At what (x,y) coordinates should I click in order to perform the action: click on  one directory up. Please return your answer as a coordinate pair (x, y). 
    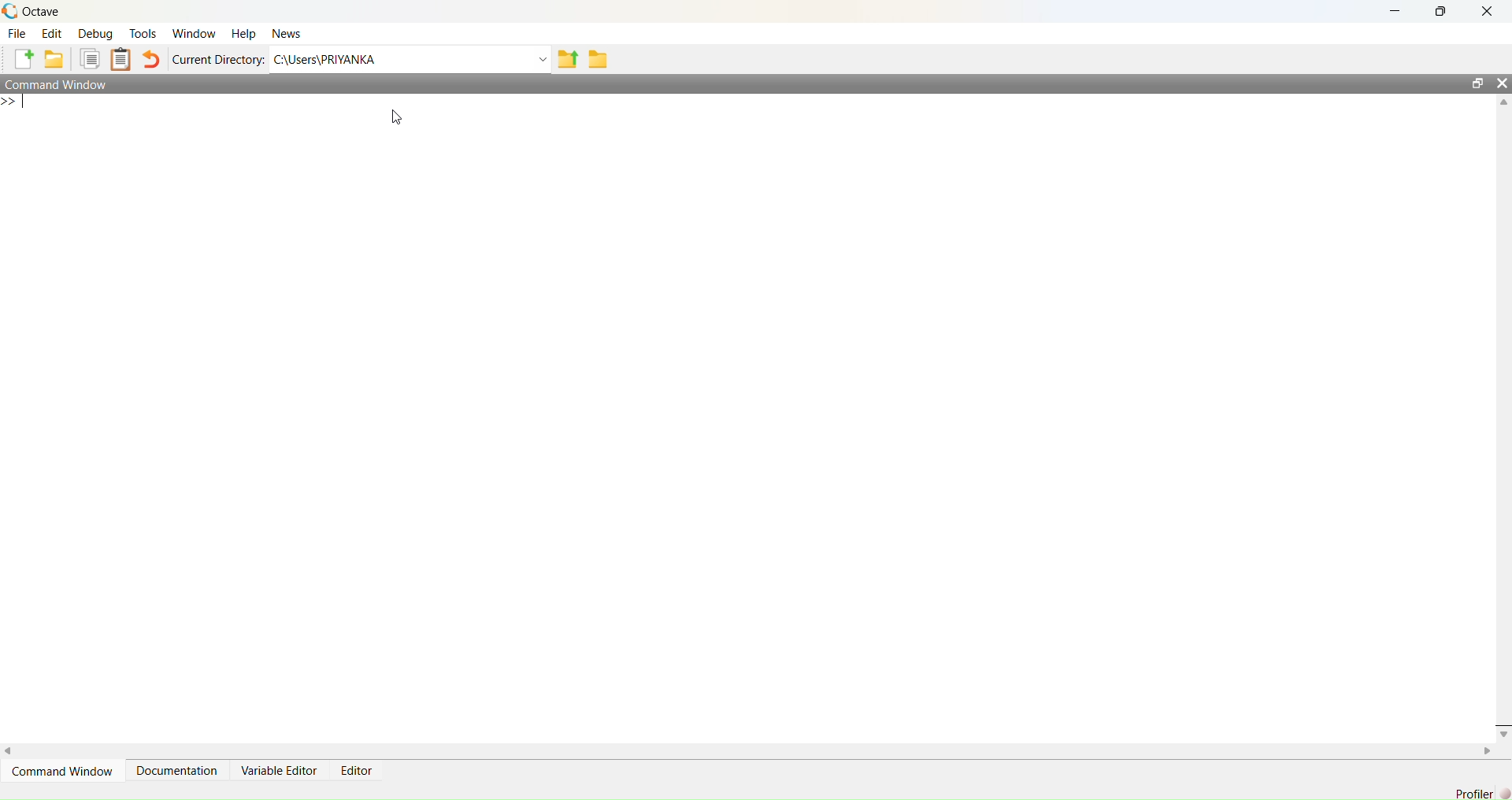
    Looking at the image, I should click on (568, 58).